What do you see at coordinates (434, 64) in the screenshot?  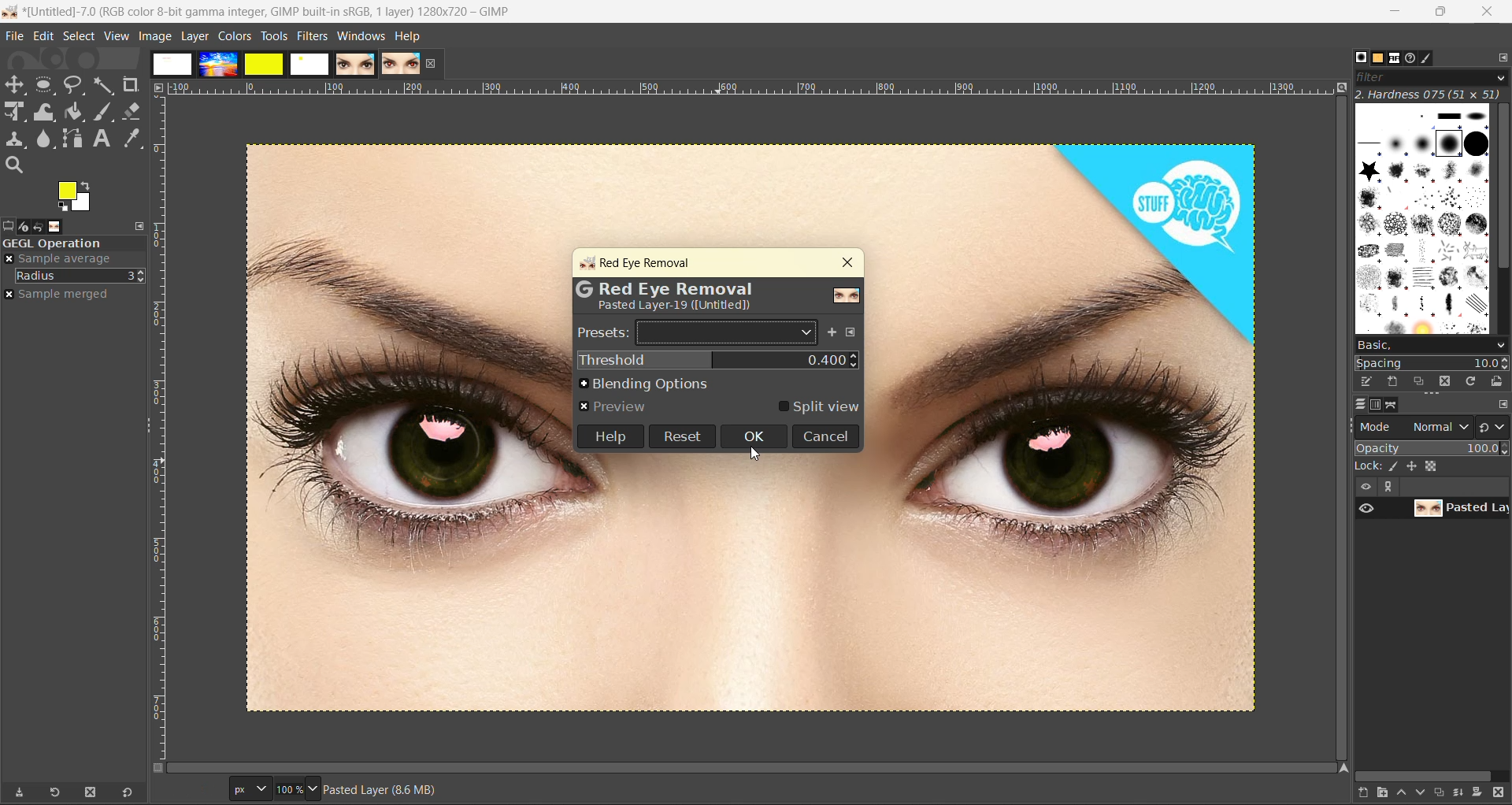 I see `close` at bounding box center [434, 64].